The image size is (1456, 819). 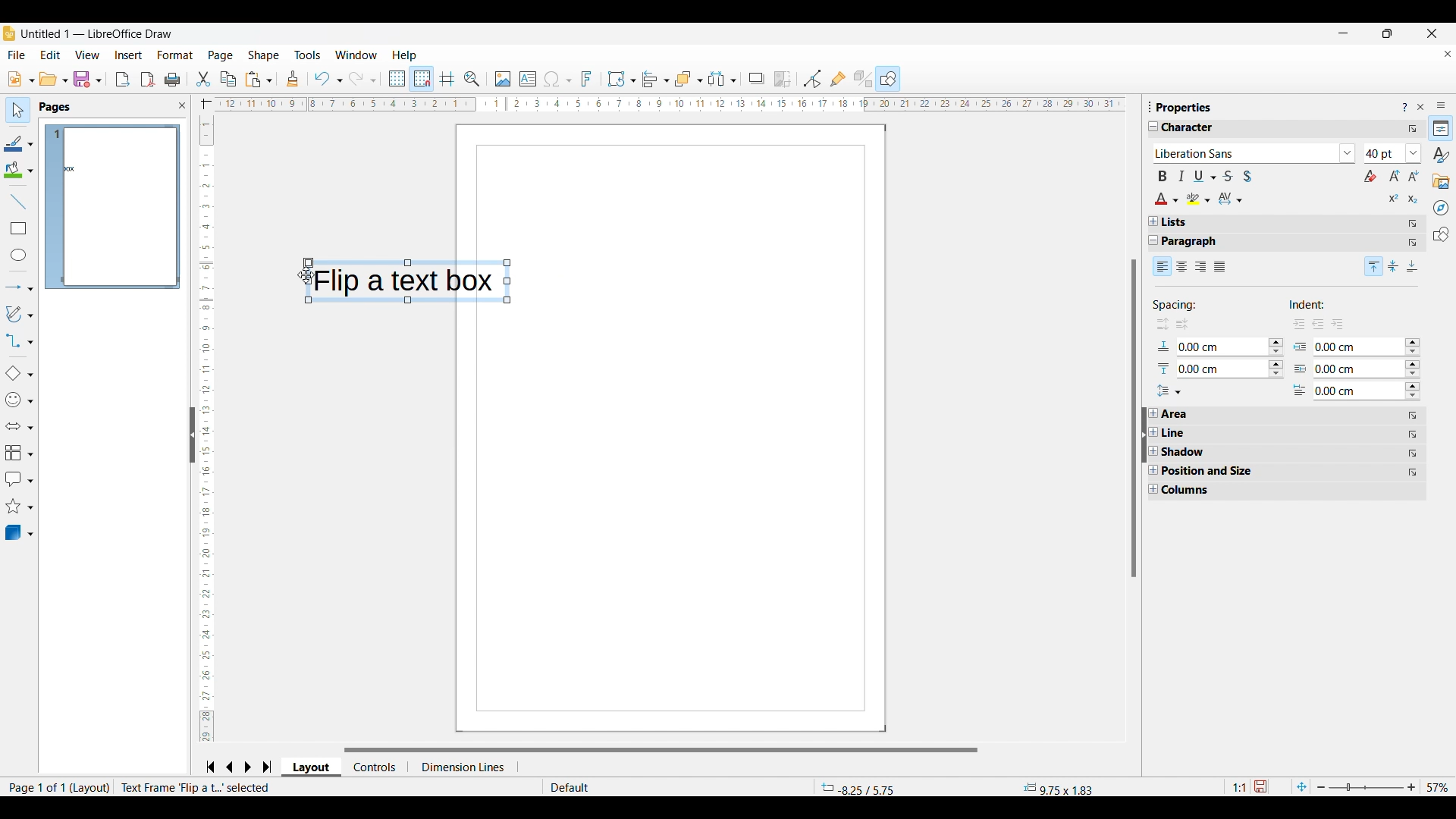 What do you see at coordinates (405, 55) in the screenshot?
I see `Help menu` at bounding box center [405, 55].